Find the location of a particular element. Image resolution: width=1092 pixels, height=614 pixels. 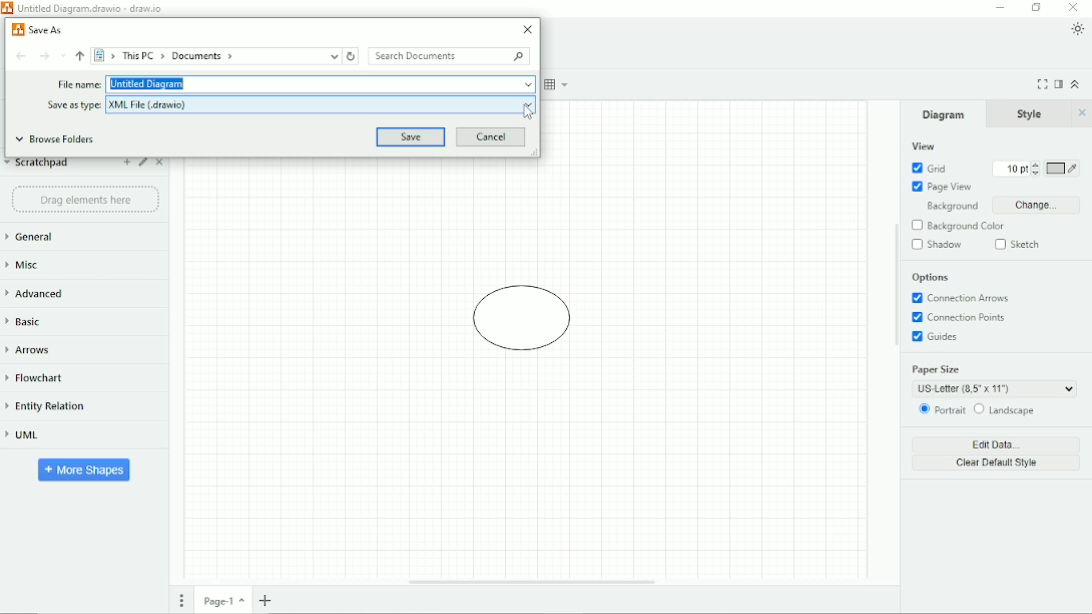

Close is located at coordinates (1083, 113).